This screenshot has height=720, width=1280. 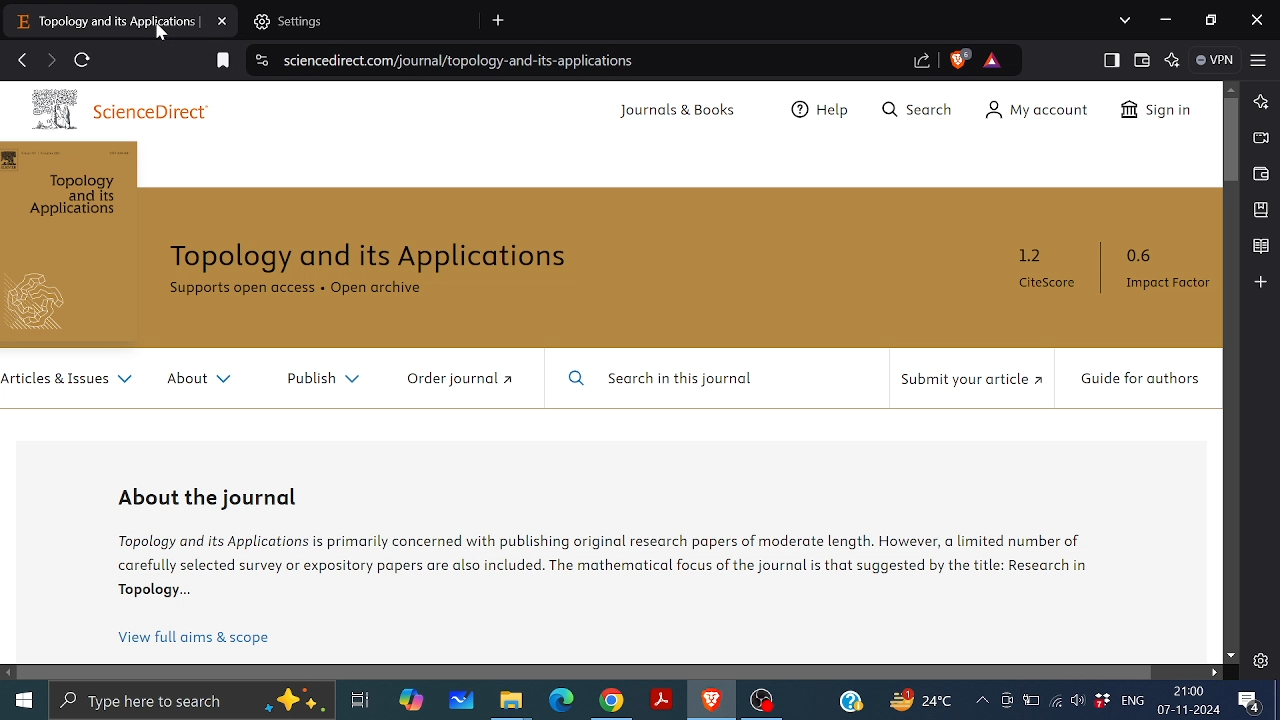 What do you see at coordinates (1158, 111) in the screenshot?
I see `sign in` at bounding box center [1158, 111].